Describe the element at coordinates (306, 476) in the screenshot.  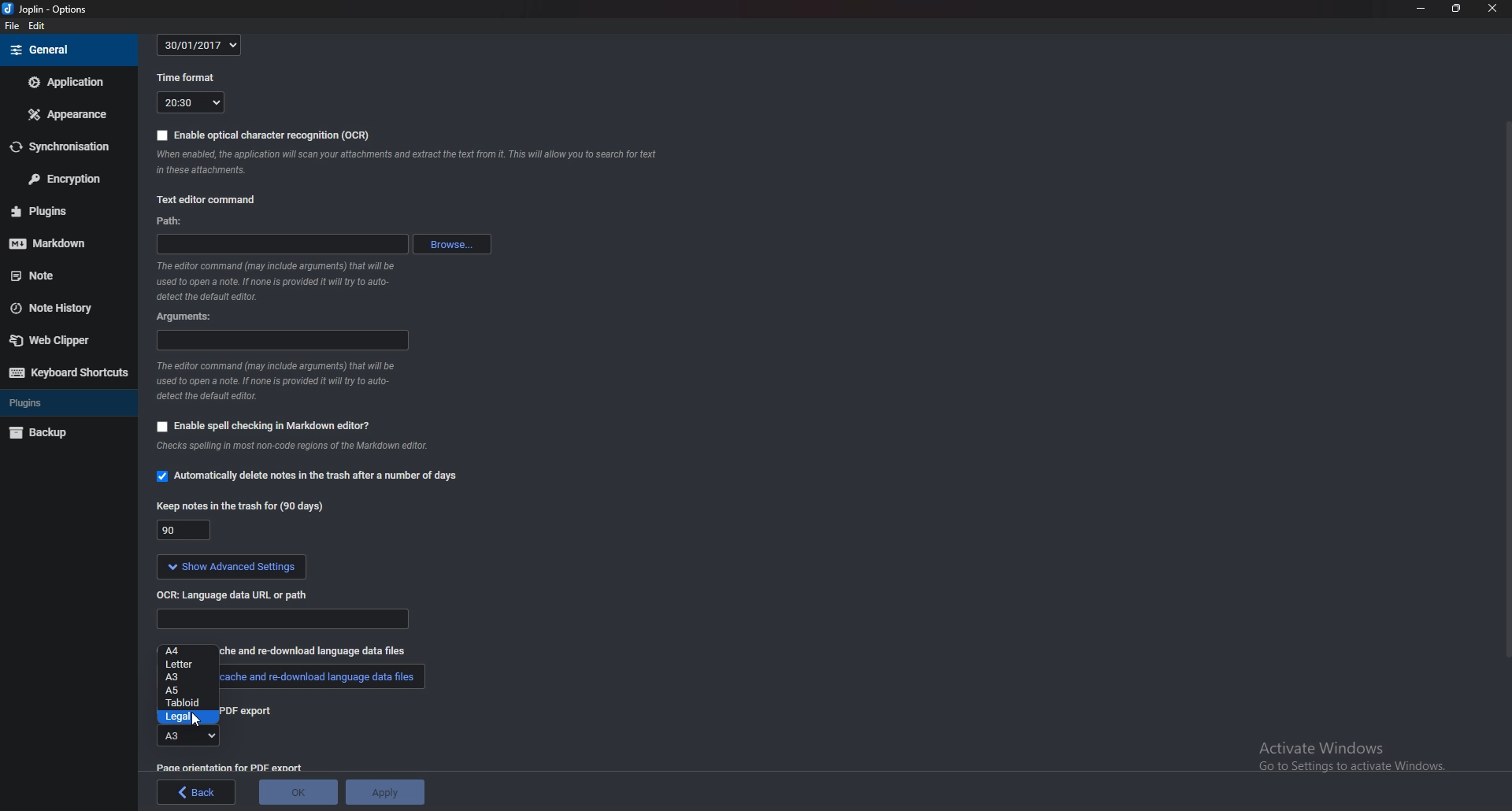
I see `Automatically delete notes` at that location.